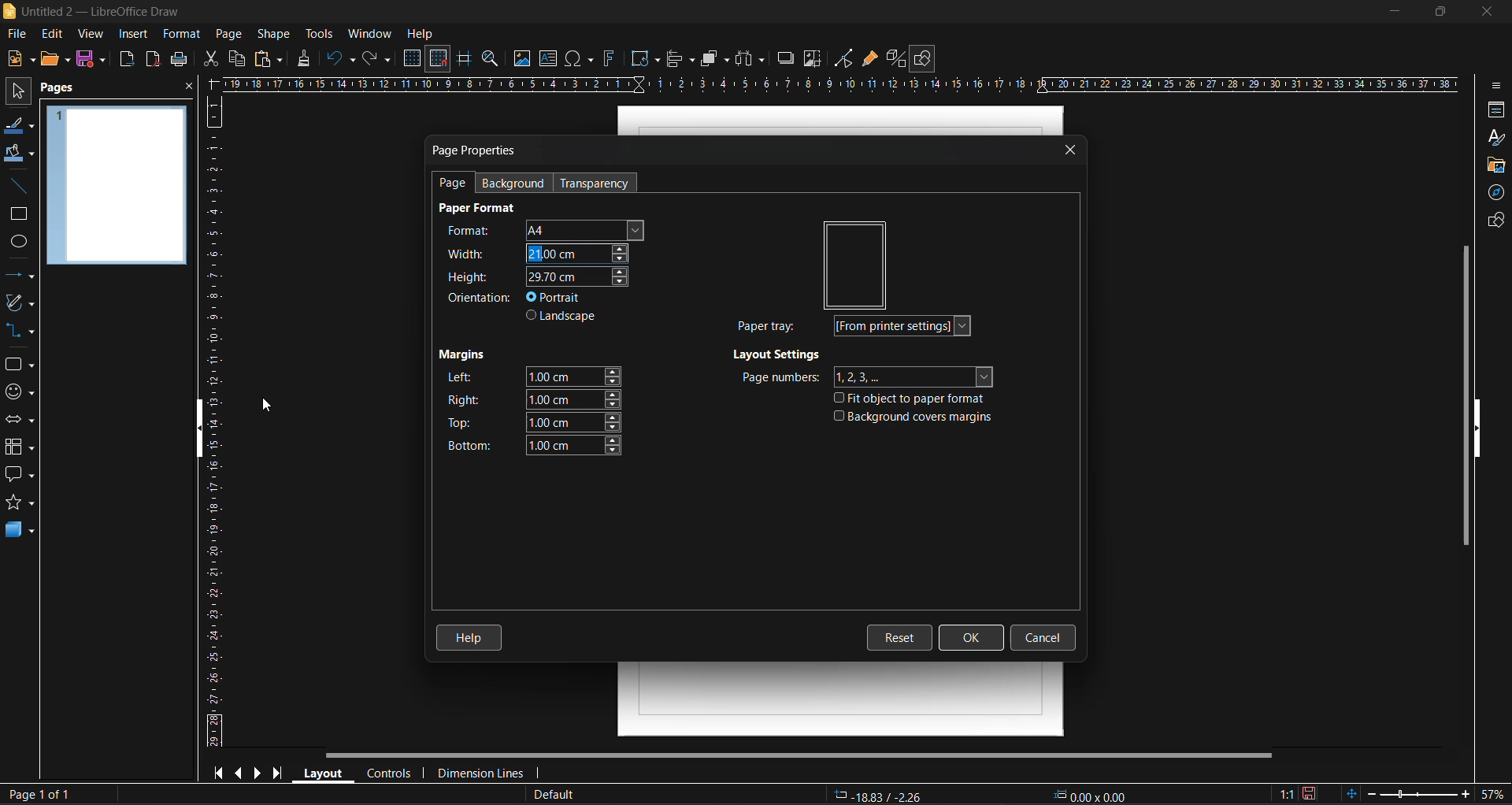  Describe the element at coordinates (478, 150) in the screenshot. I see `page properties` at that location.